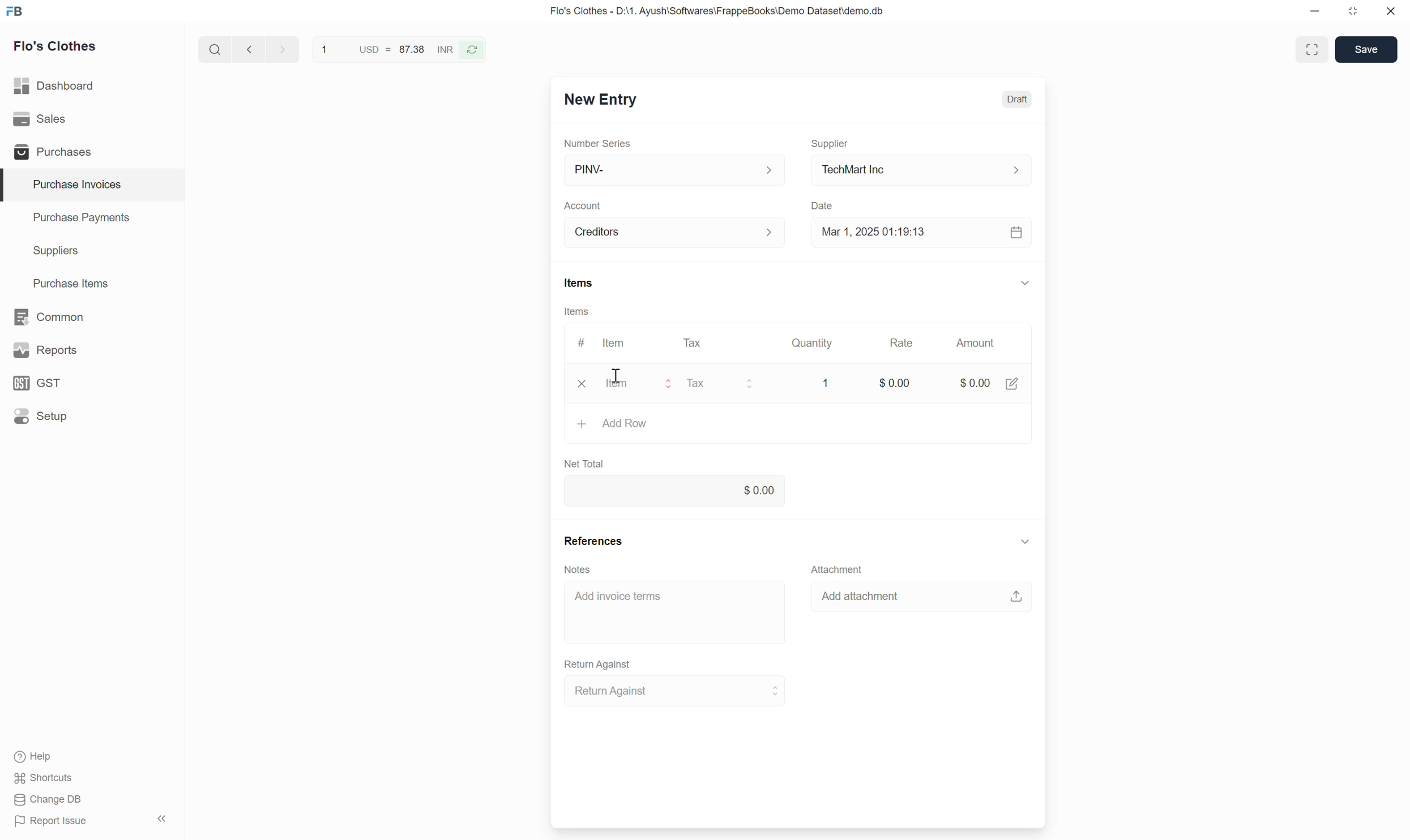  What do you see at coordinates (17, 11) in the screenshot?
I see `frappe books logo` at bounding box center [17, 11].